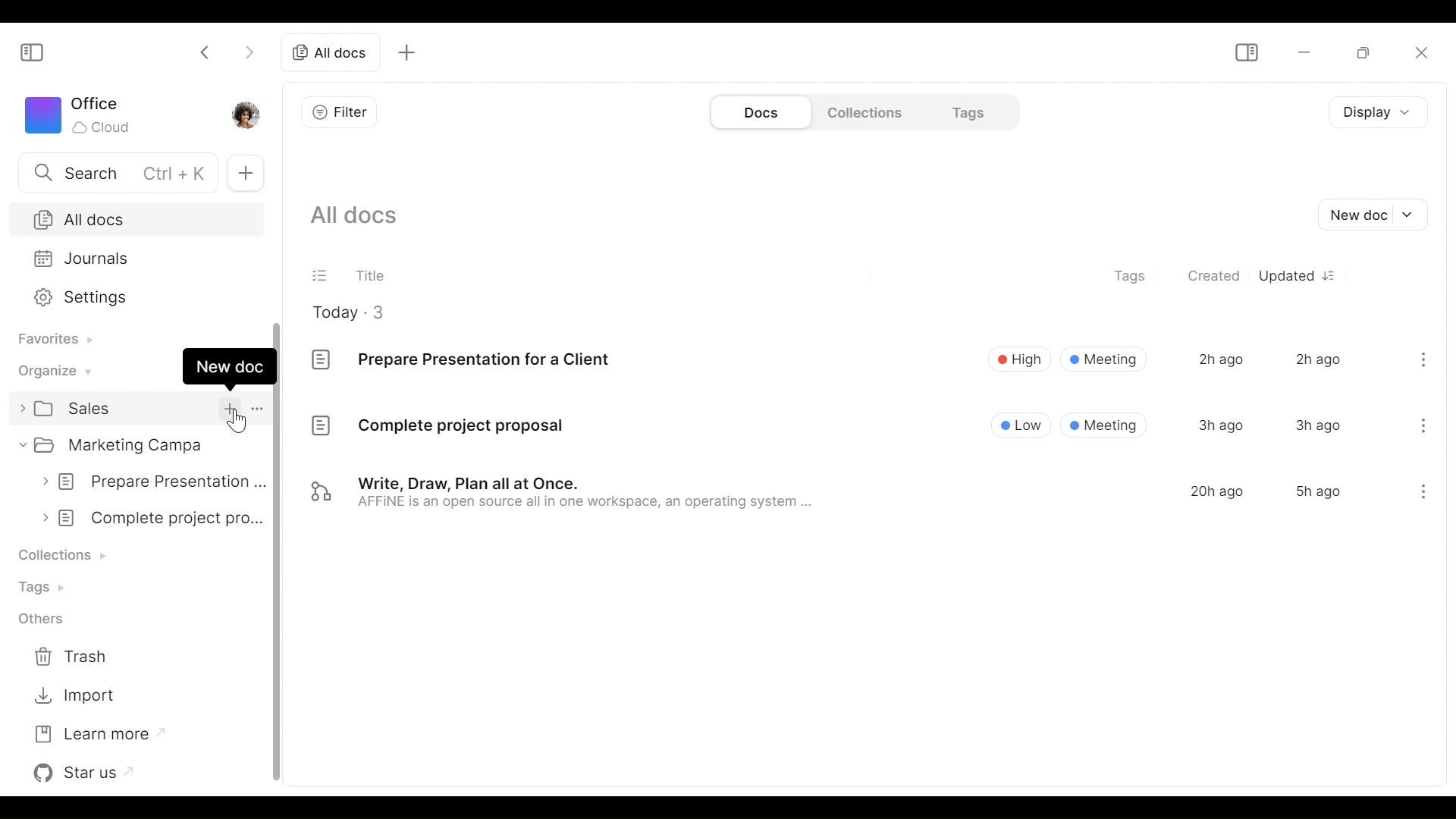 This screenshot has height=819, width=1456. Describe the element at coordinates (277, 659) in the screenshot. I see `vertical scroll bar` at that location.